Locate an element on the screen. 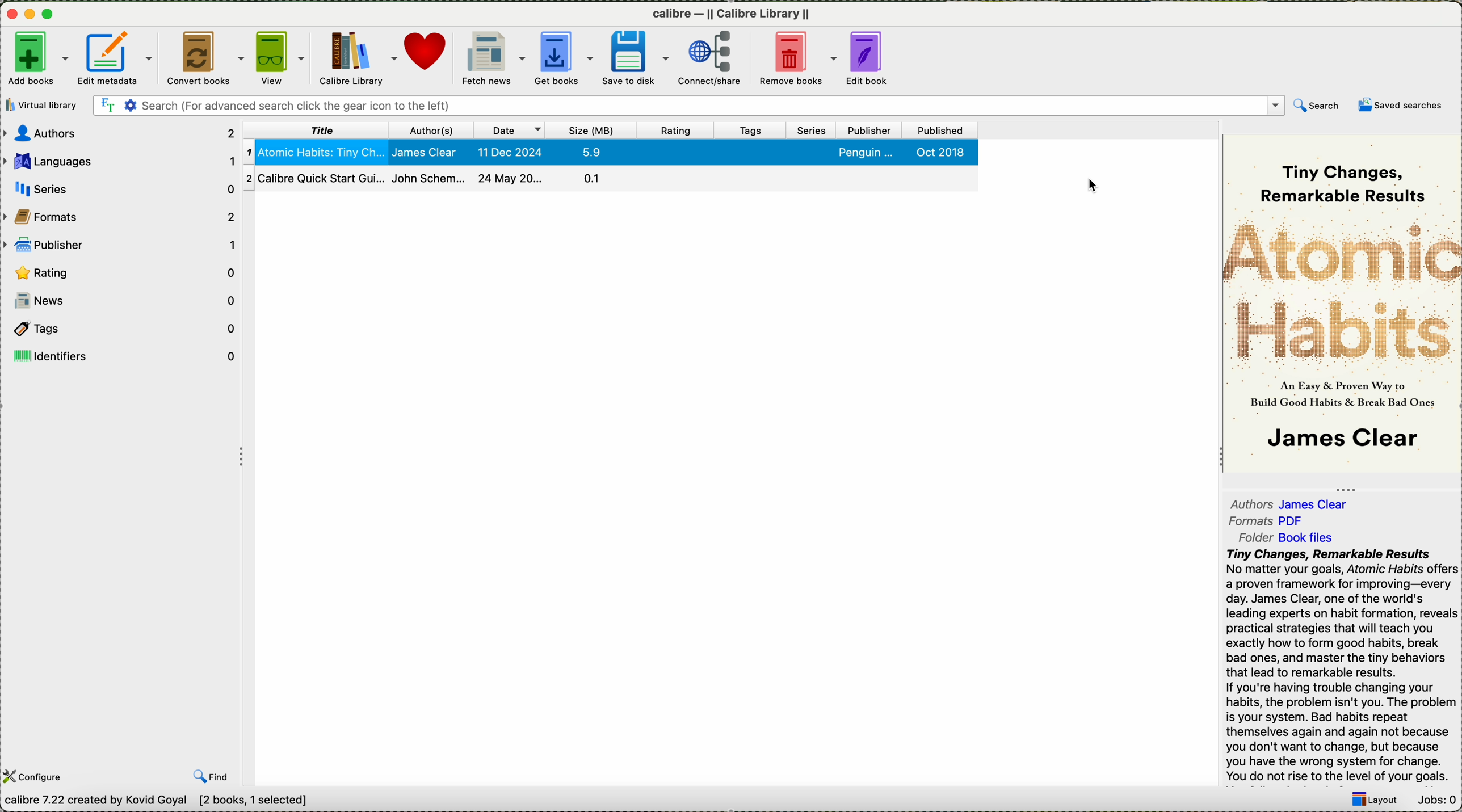  mouse is located at coordinates (1095, 186).